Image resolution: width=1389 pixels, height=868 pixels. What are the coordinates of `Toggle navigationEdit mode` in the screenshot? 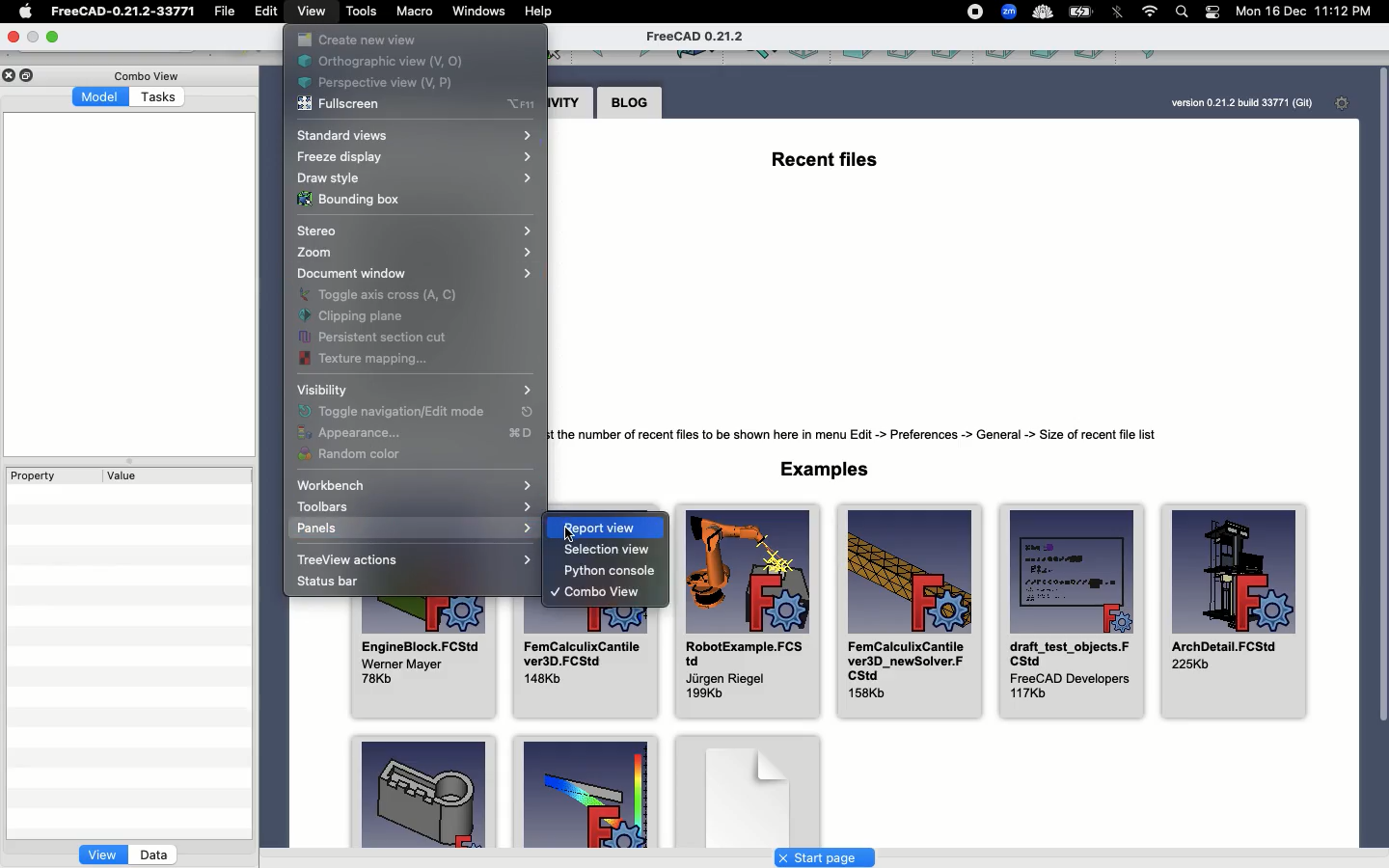 It's located at (417, 412).